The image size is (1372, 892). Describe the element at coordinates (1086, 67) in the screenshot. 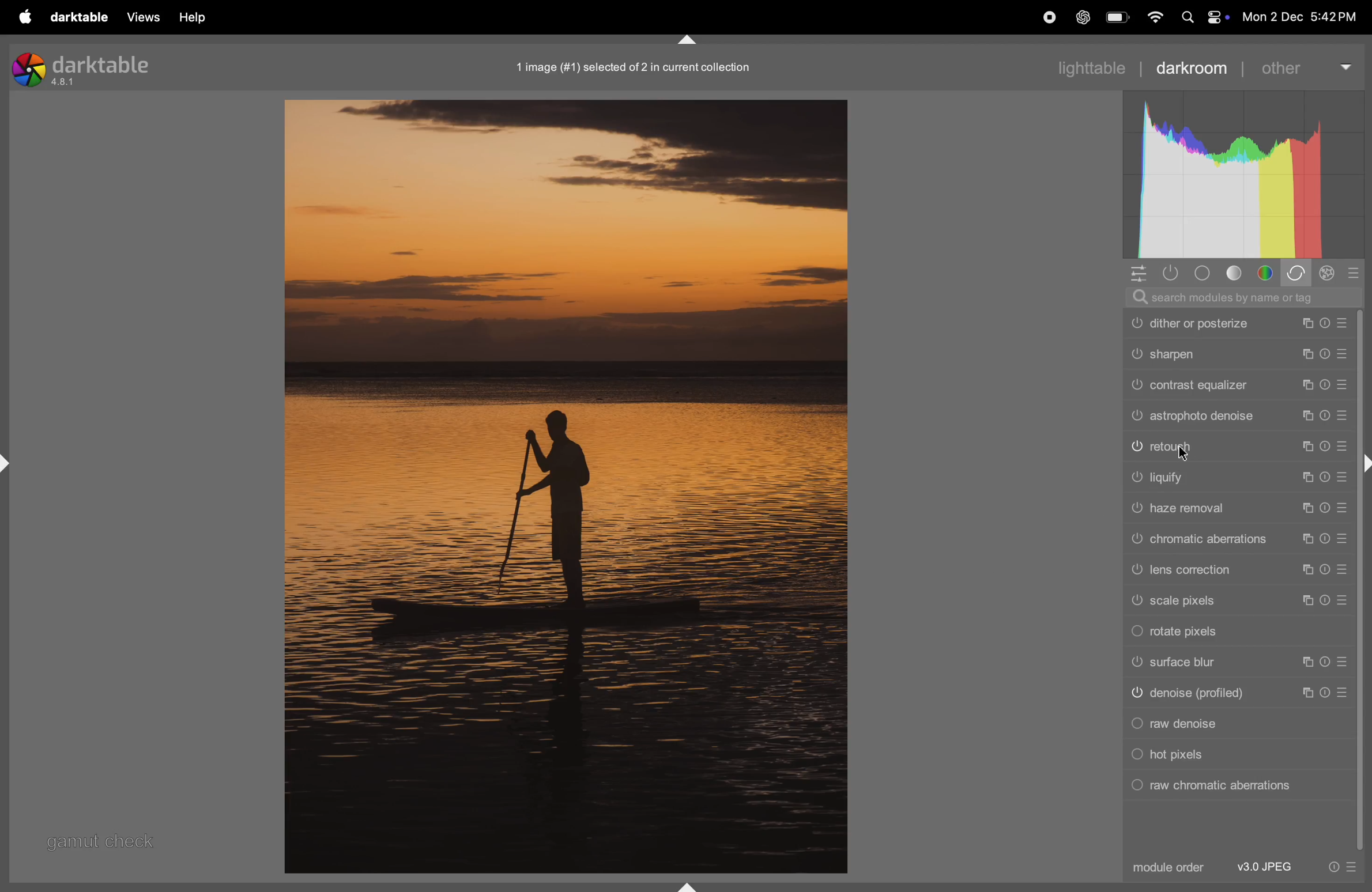

I see `lighttable` at that location.